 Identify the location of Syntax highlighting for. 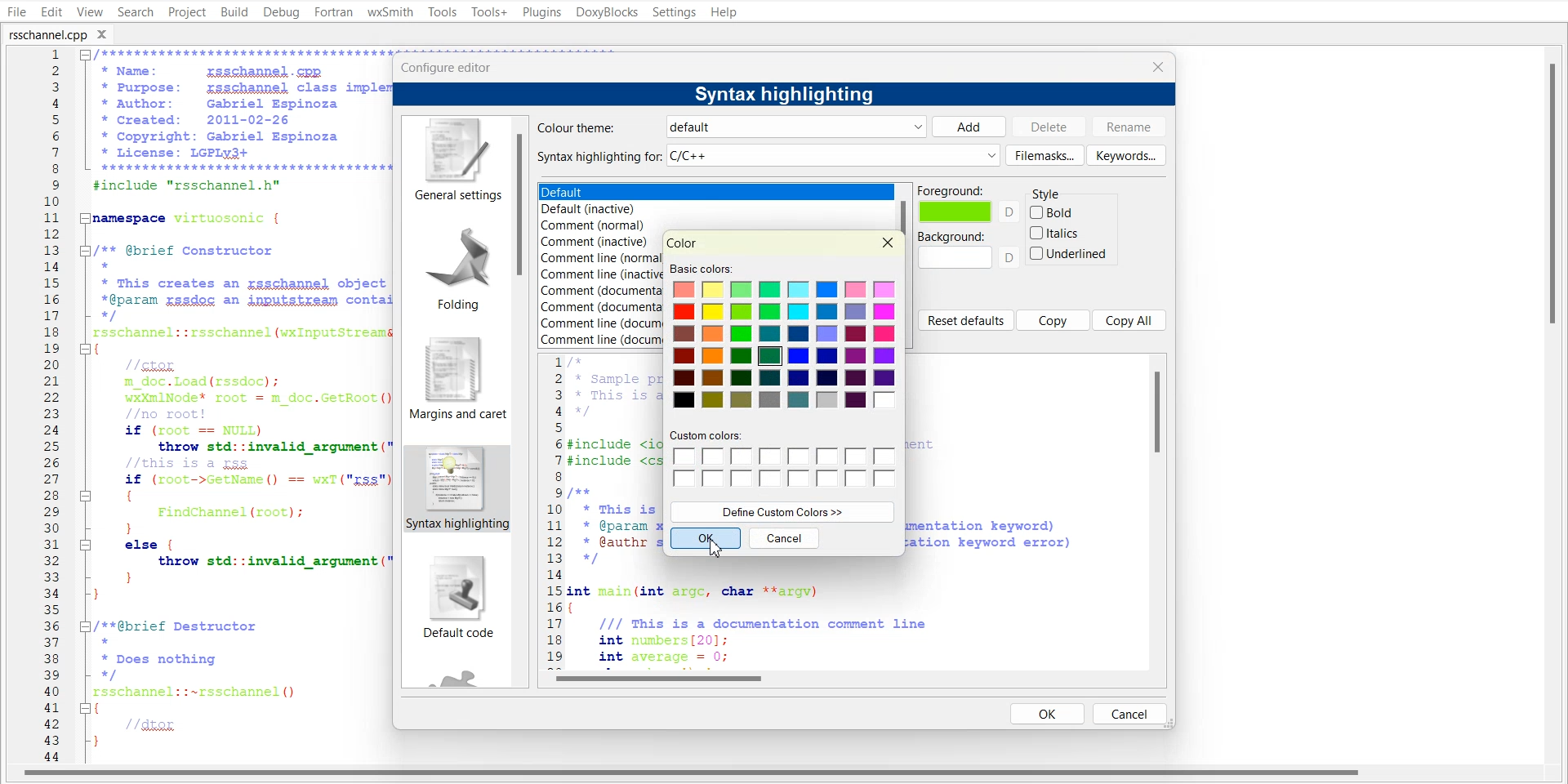
(768, 156).